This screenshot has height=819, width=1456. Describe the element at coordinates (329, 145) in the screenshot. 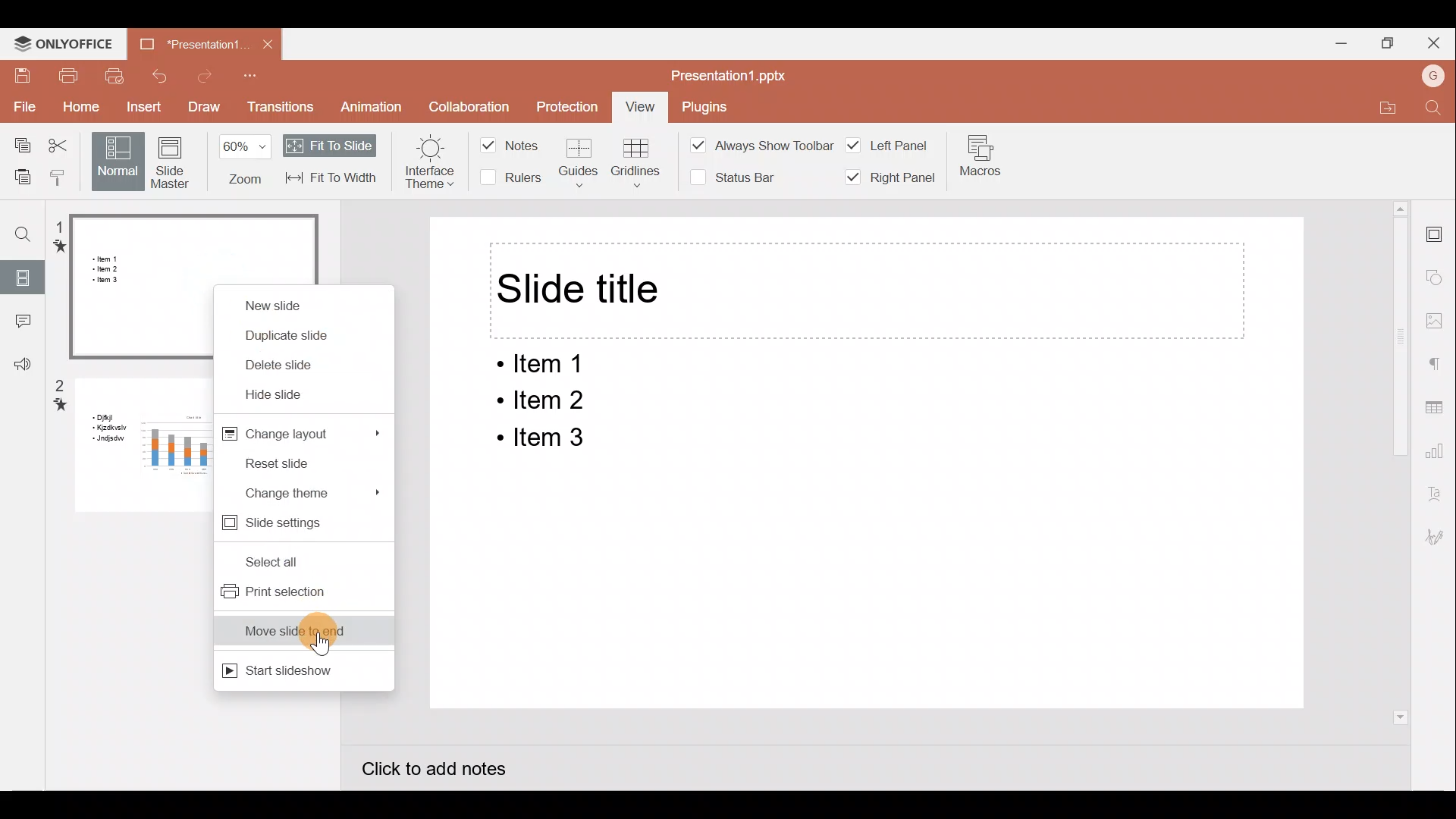

I see `Fit to slide` at that location.